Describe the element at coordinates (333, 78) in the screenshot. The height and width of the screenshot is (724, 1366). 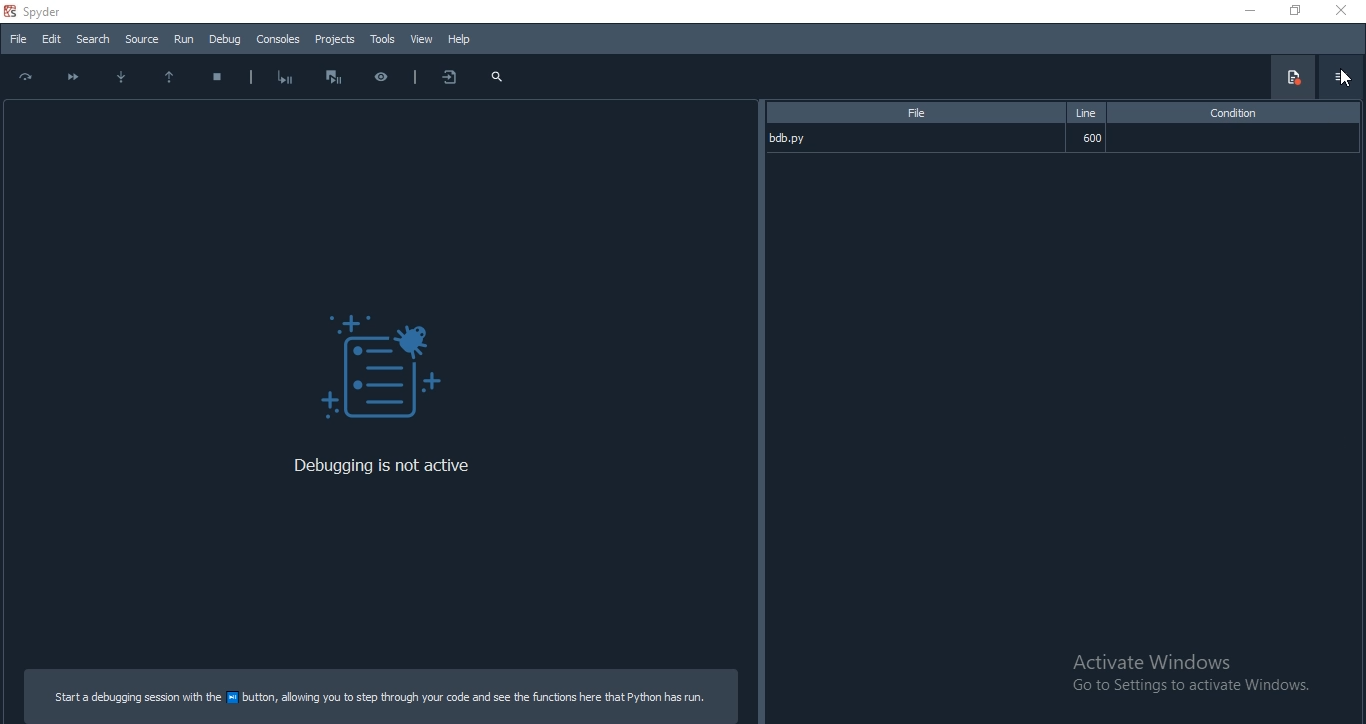
I see `Interrupt execution and start the debugger` at that location.